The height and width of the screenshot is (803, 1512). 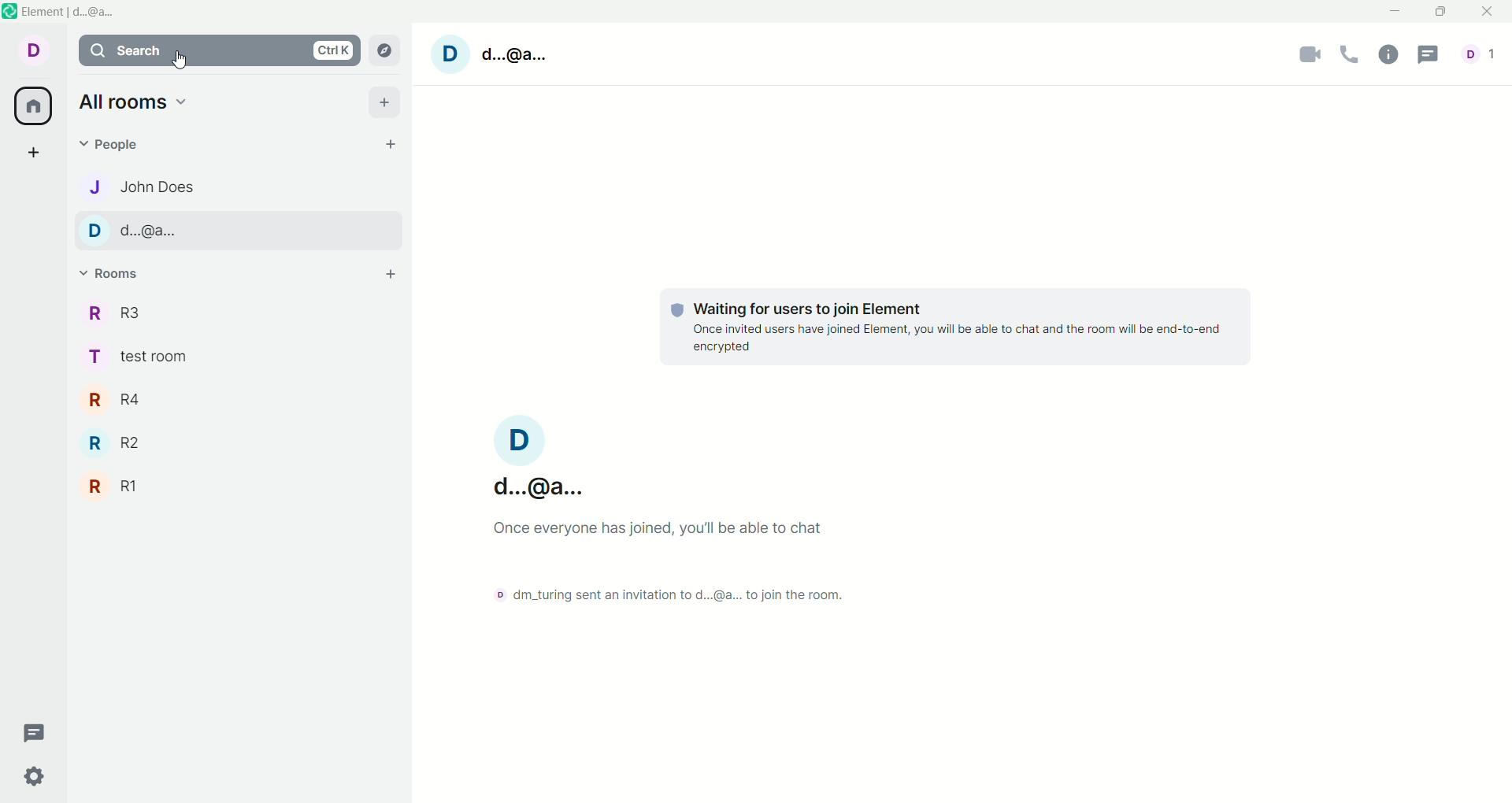 I want to click on video call, so click(x=1305, y=56).